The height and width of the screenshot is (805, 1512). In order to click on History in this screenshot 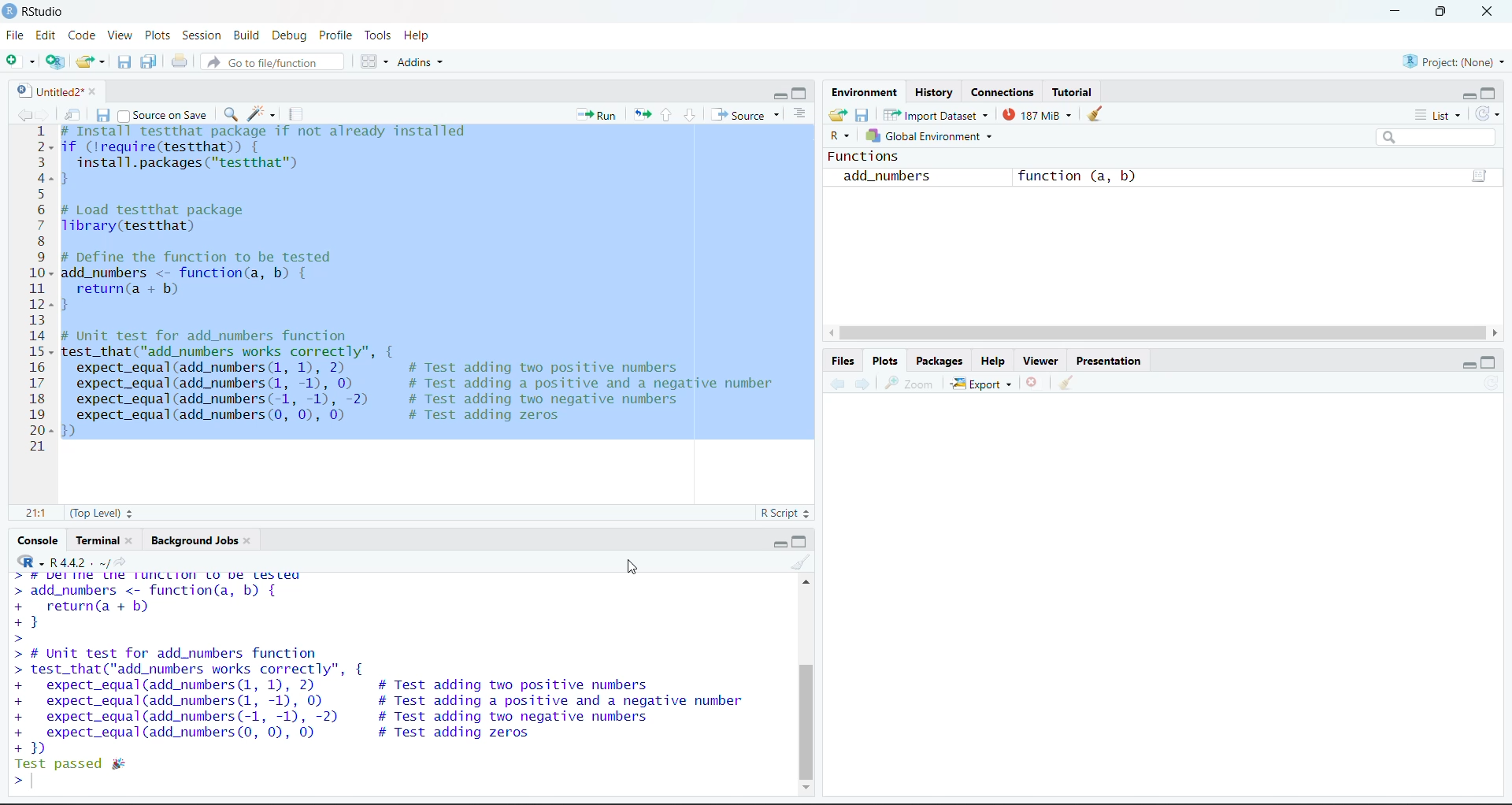, I will do `click(931, 91)`.